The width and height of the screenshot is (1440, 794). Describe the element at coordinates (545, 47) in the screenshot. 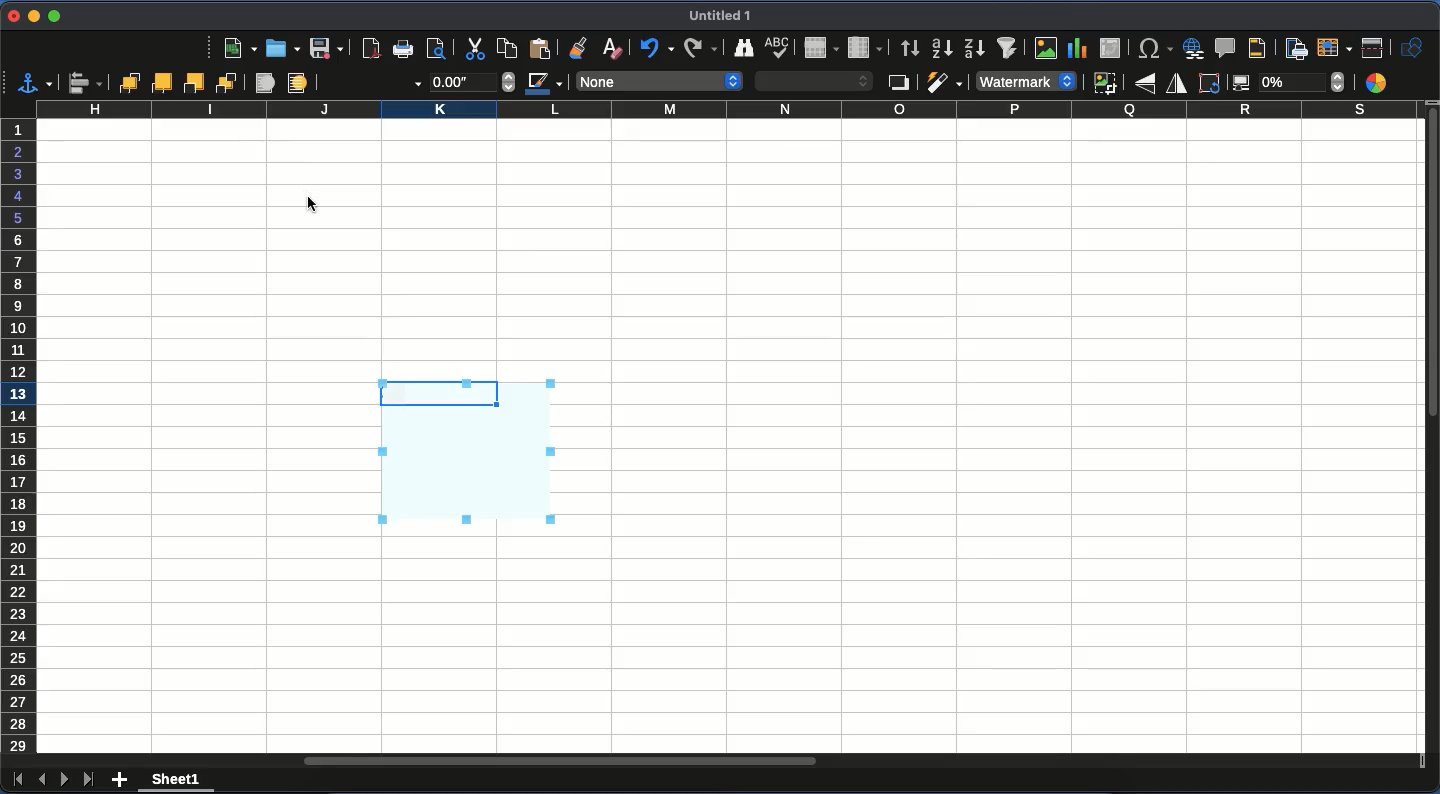

I see `paste` at that location.